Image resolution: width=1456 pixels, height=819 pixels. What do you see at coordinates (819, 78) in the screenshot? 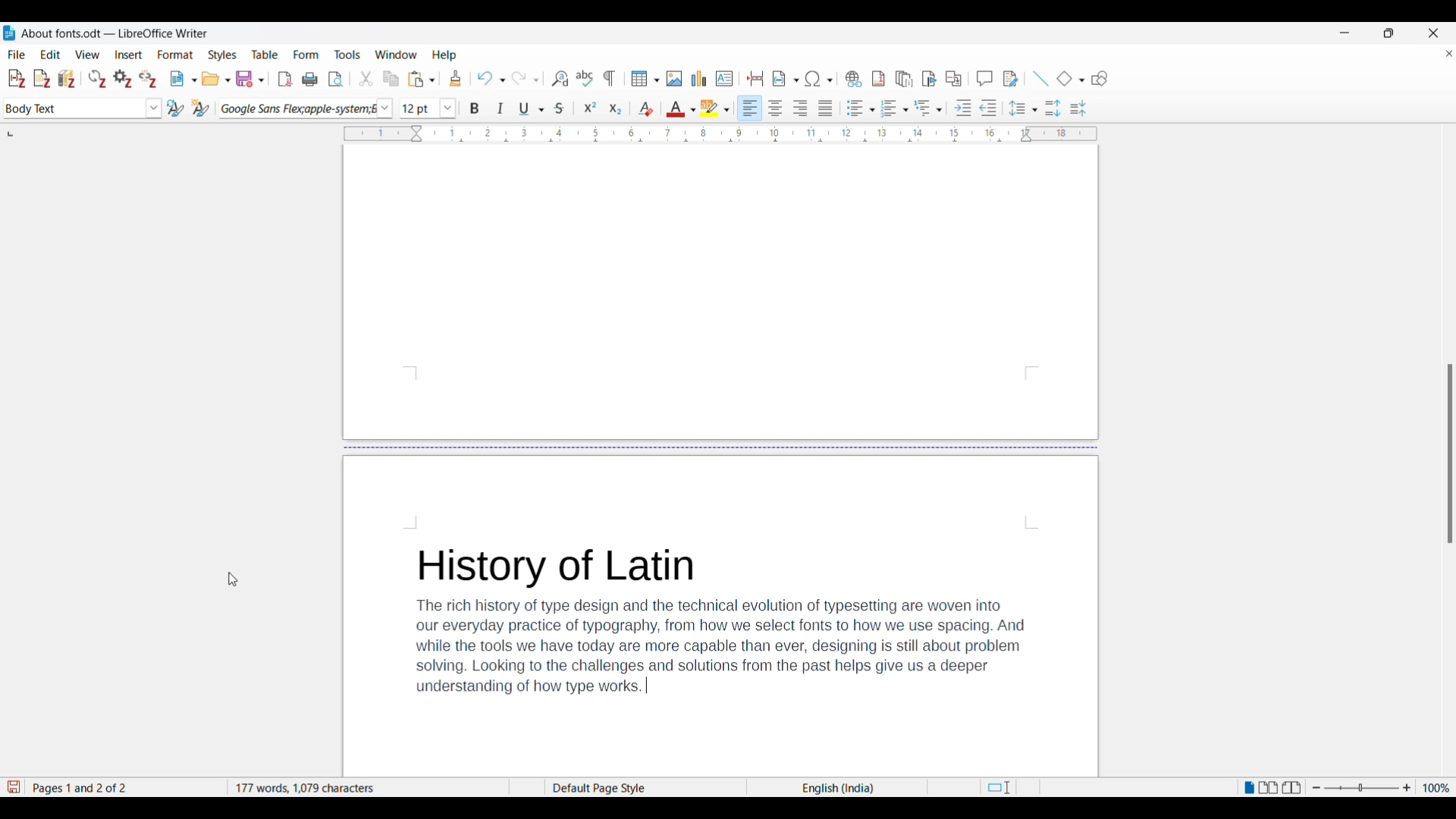
I see `Special character options` at bounding box center [819, 78].